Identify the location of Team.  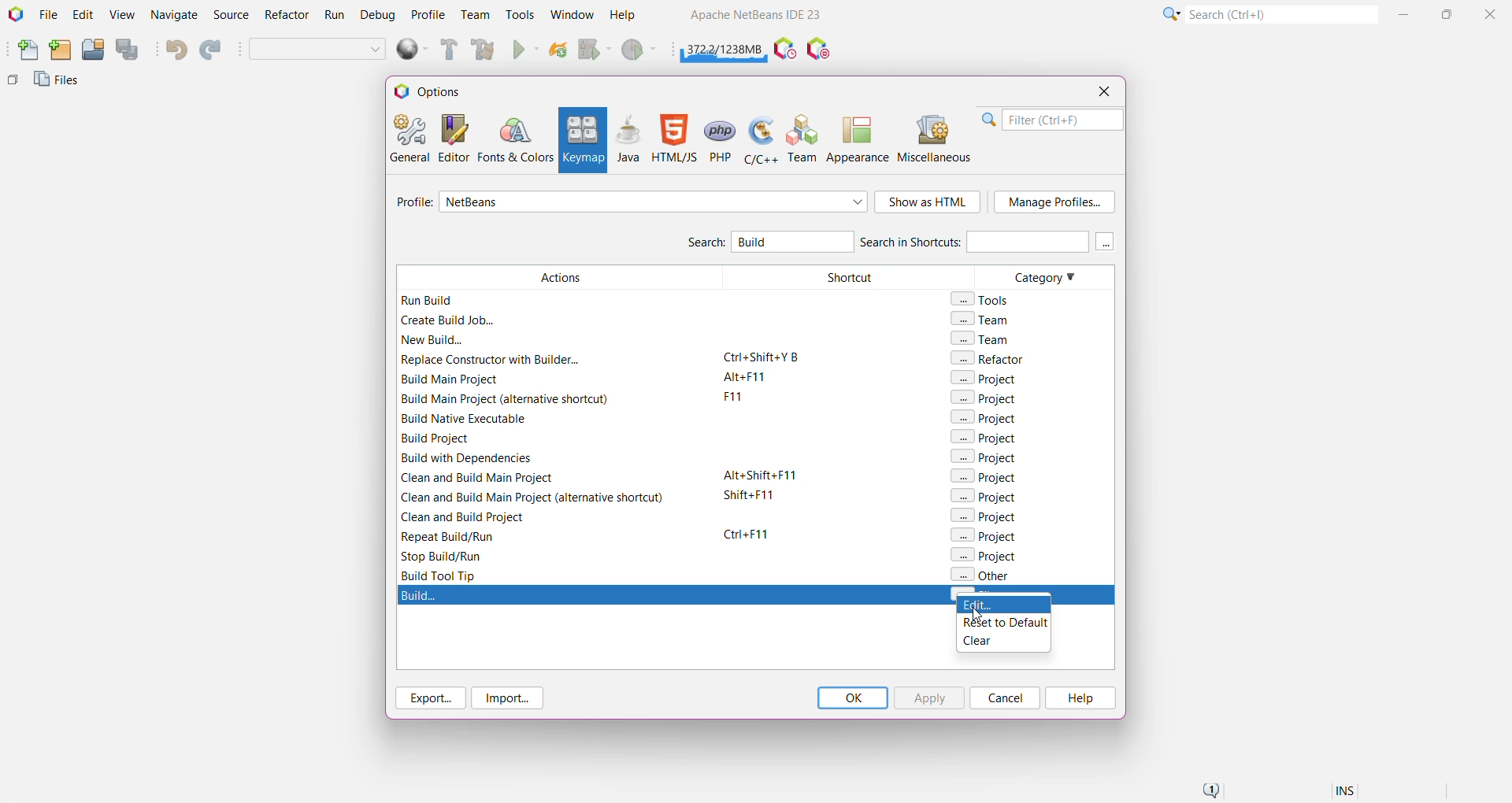
(803, 139).